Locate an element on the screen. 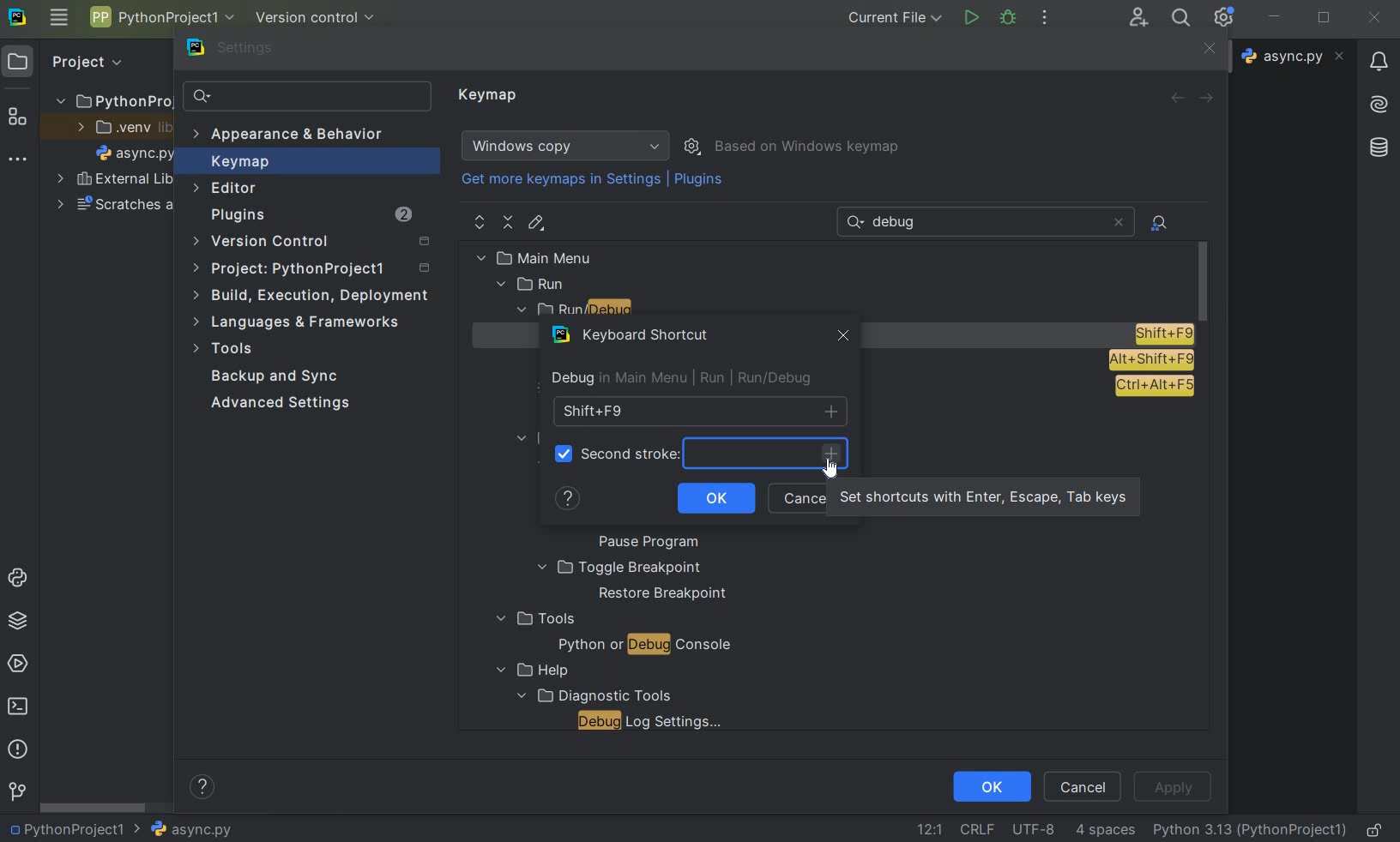 This screenshot has height=842, width=1400. problems is located at coordinates (16, 748).